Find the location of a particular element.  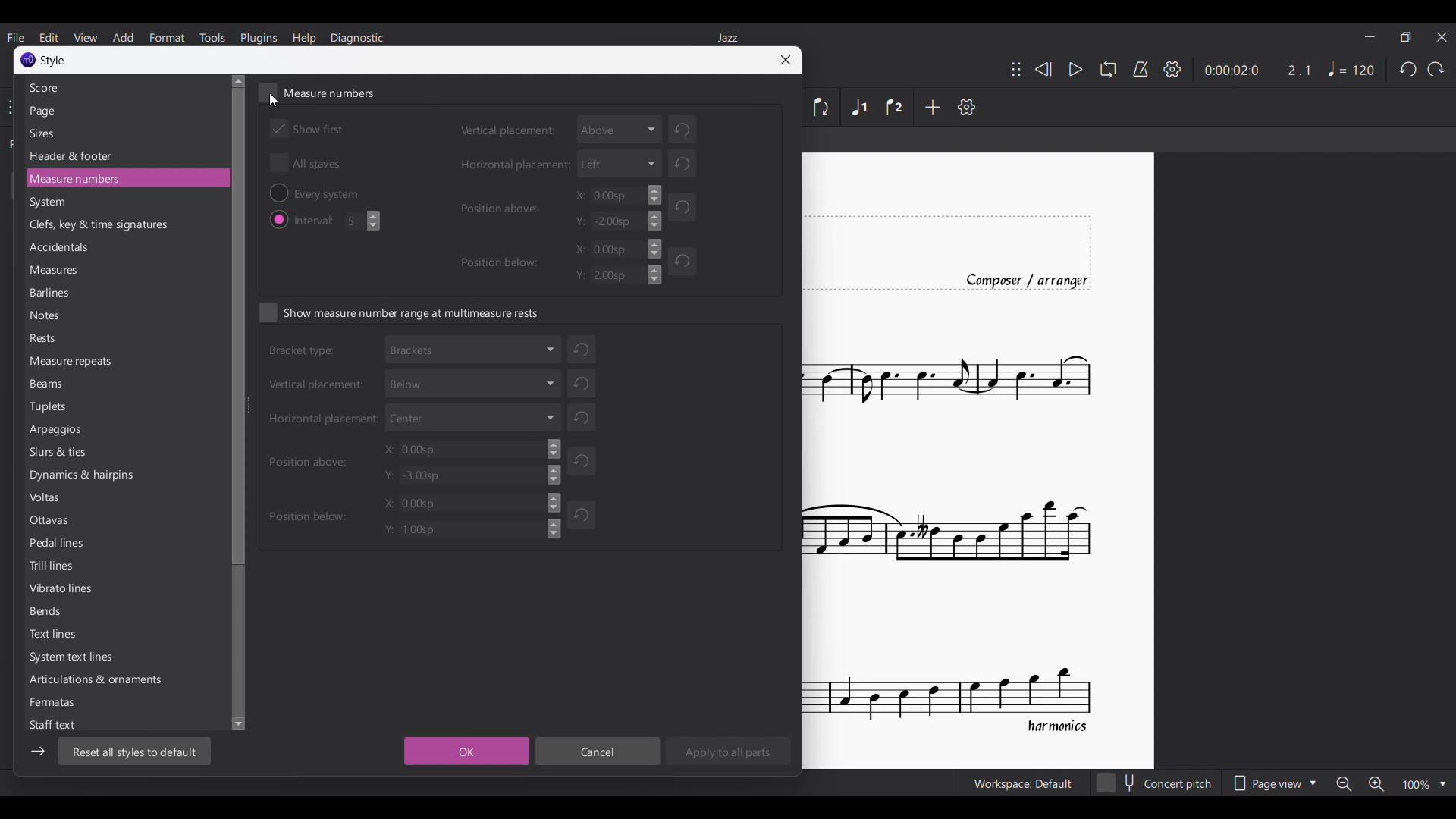

Y is located at coordinates (614, 275).